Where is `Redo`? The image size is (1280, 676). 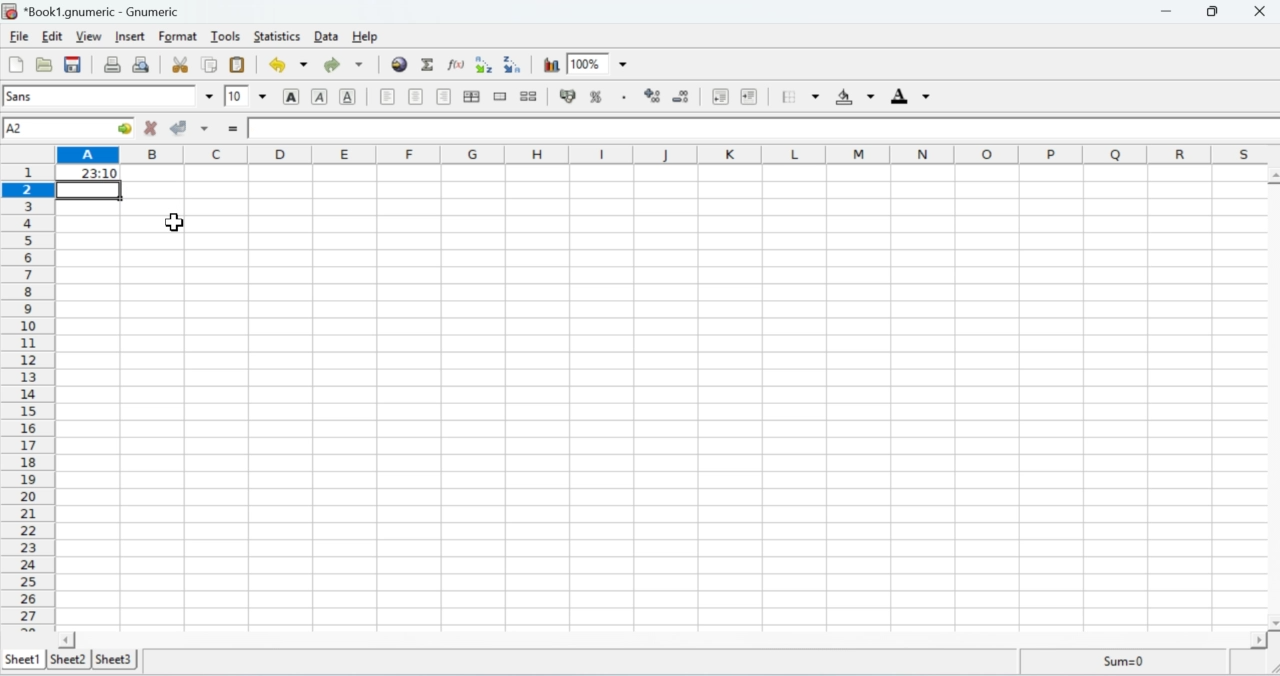
Redo is located at coordinates (342, 64).